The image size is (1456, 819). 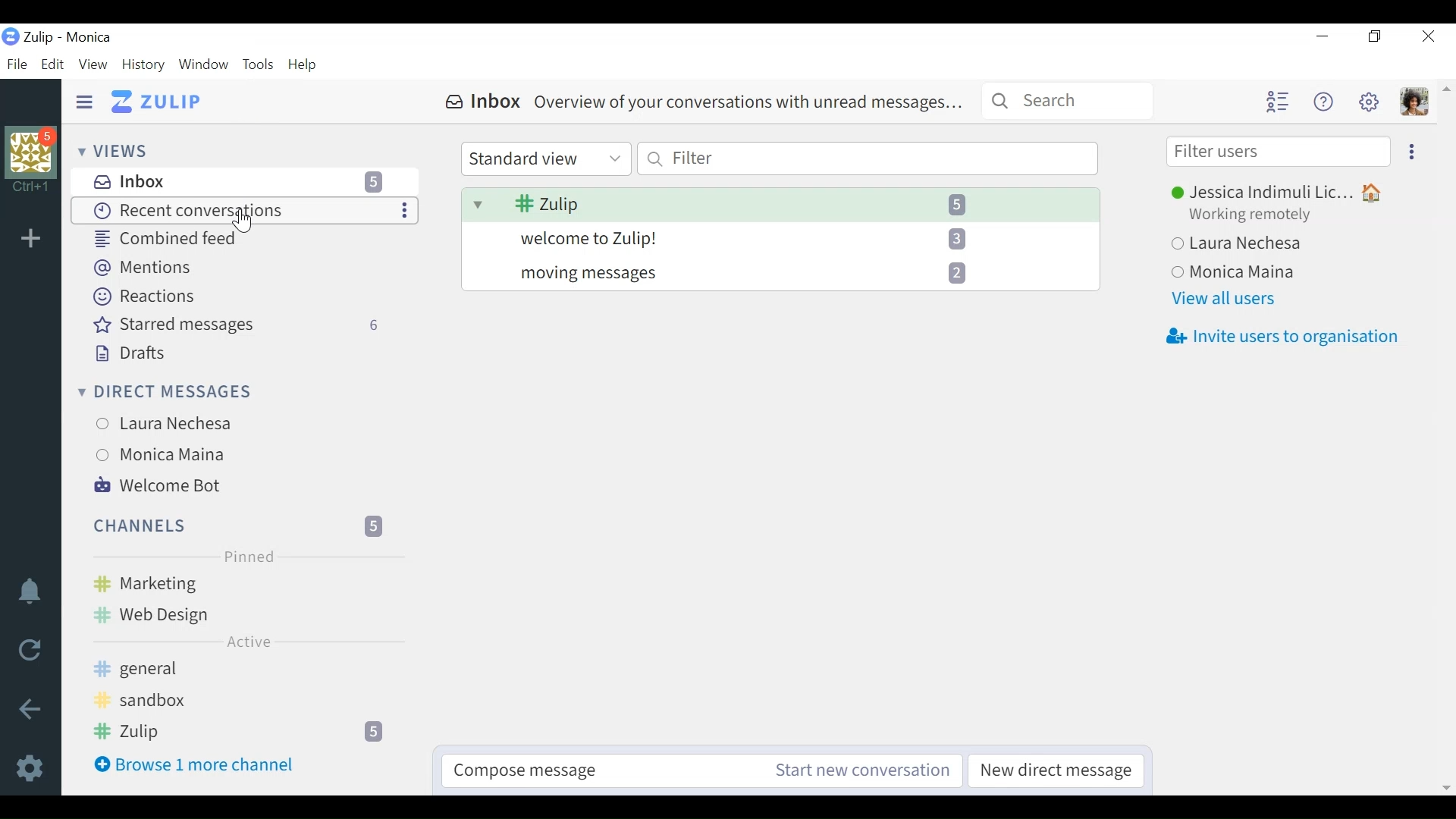 What do you see at coordinates (1282, 337) in the screenshot?
I see `Invite users to organisation` at bounding box center [1282, 337].